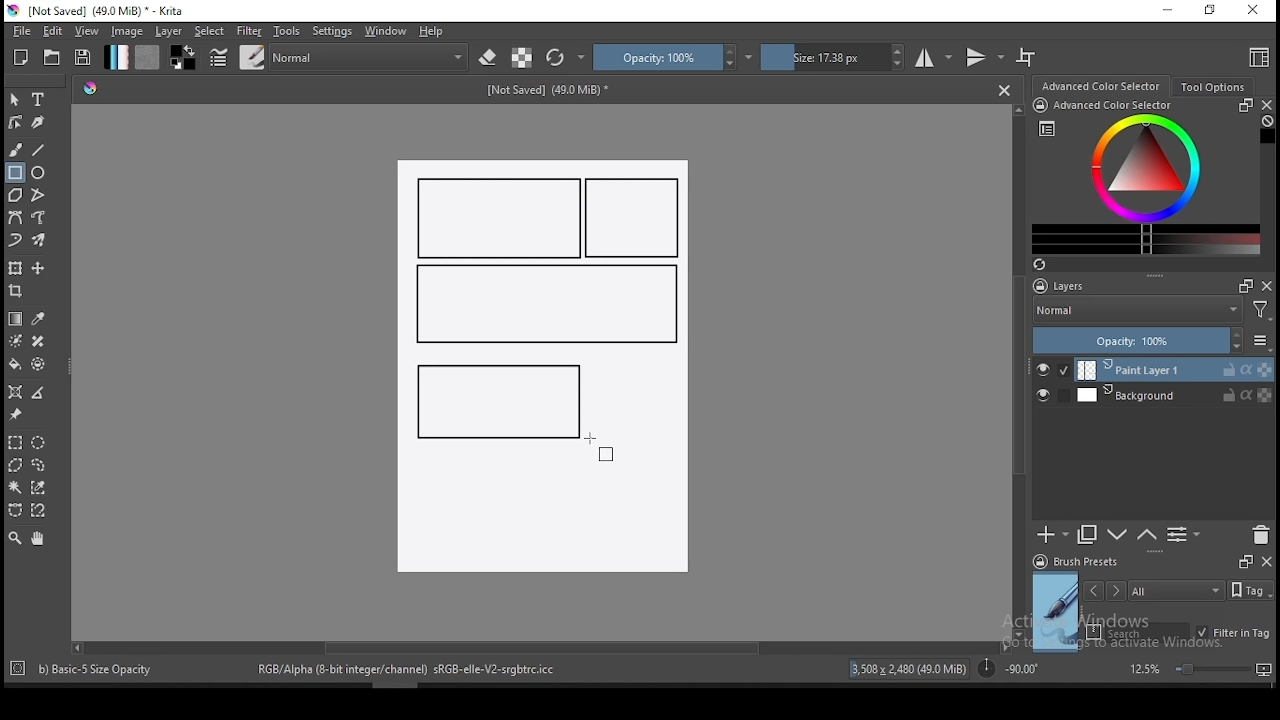  I want to click on , so click(985, 55).